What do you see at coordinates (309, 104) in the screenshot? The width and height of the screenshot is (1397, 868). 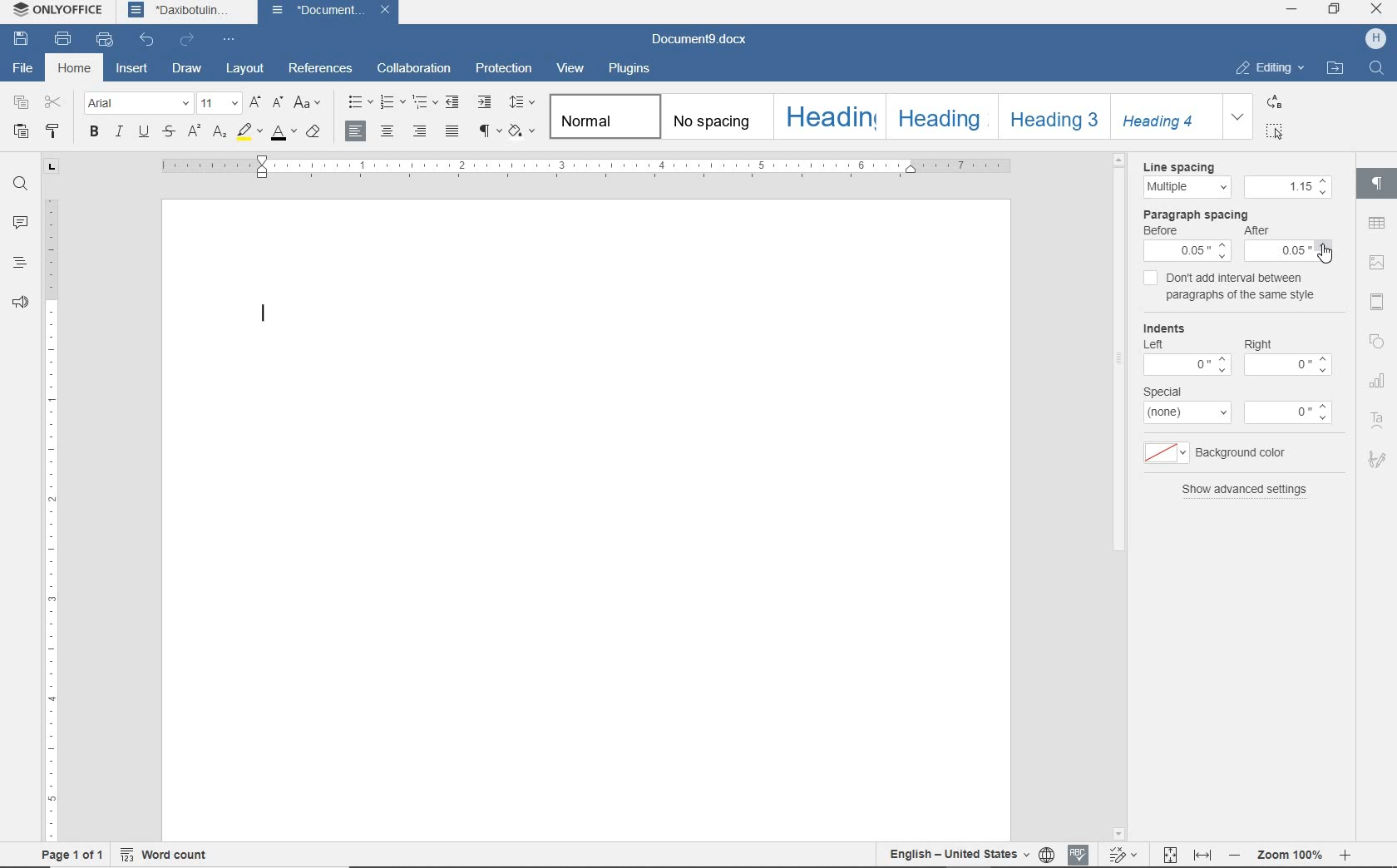 I see `change case` at bounding box center [309, 104].